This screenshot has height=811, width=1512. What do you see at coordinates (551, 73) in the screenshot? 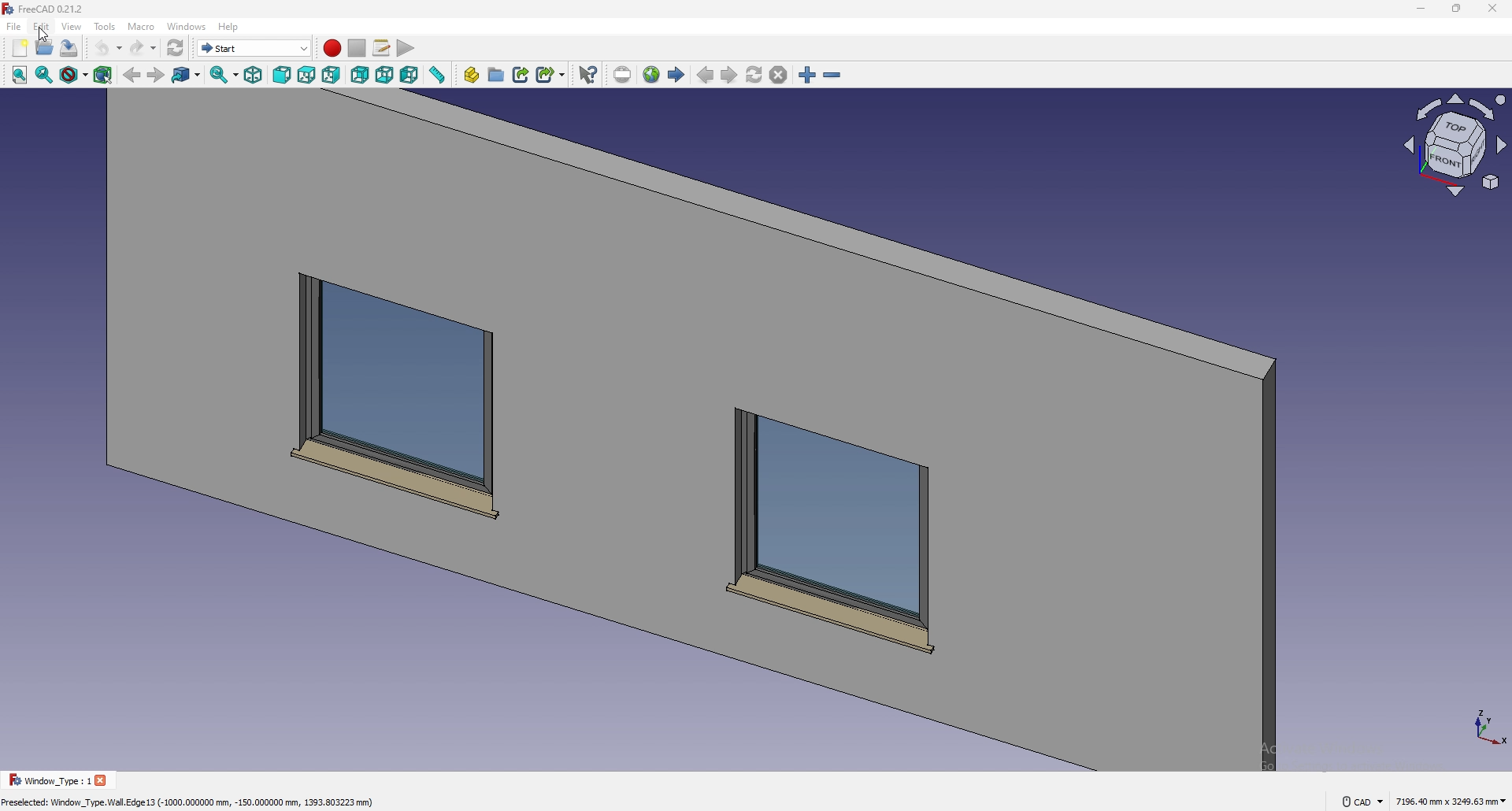
I see `make sub link` at bounding box center [551, 73].